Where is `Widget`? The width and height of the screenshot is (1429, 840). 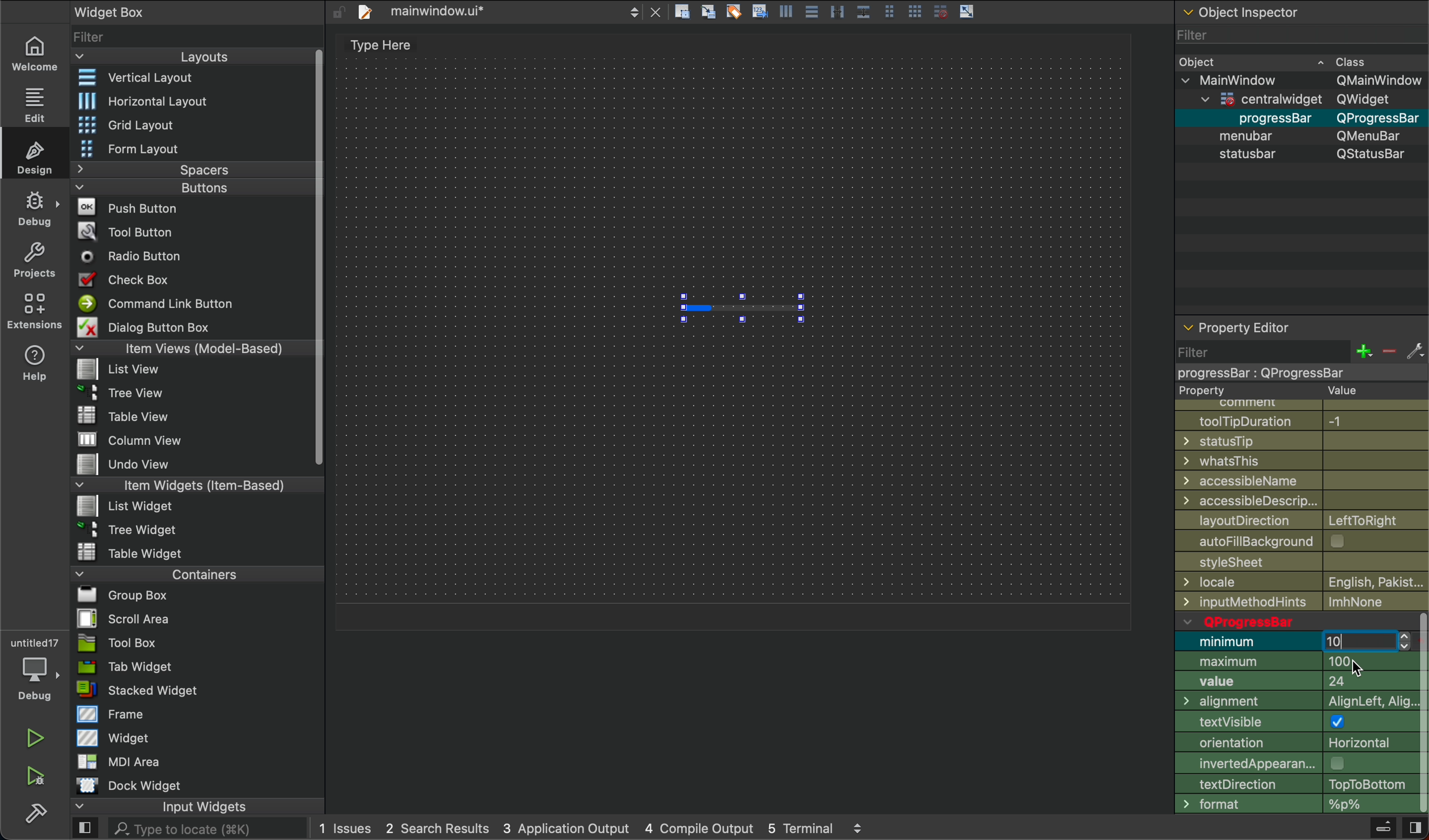 Widget is located at coordinates (116, 737).